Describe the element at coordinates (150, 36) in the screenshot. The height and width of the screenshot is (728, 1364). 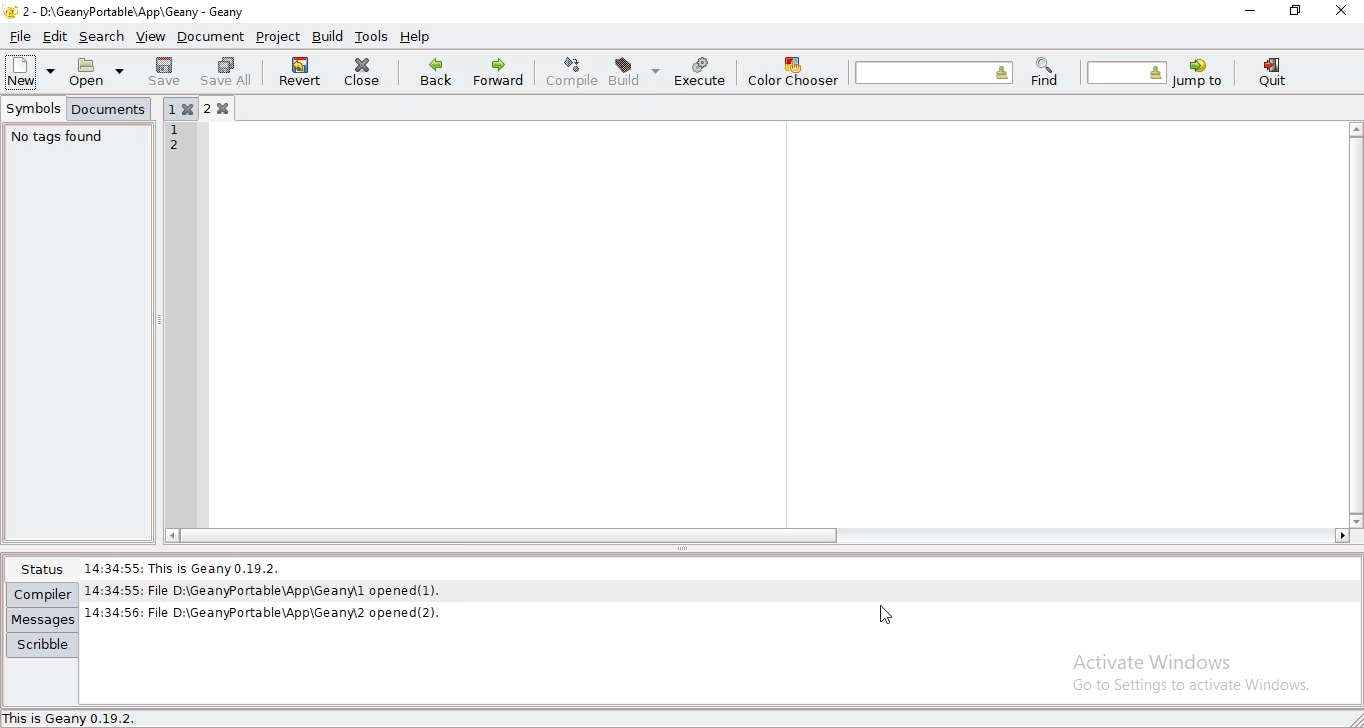
I see `view` at that location.